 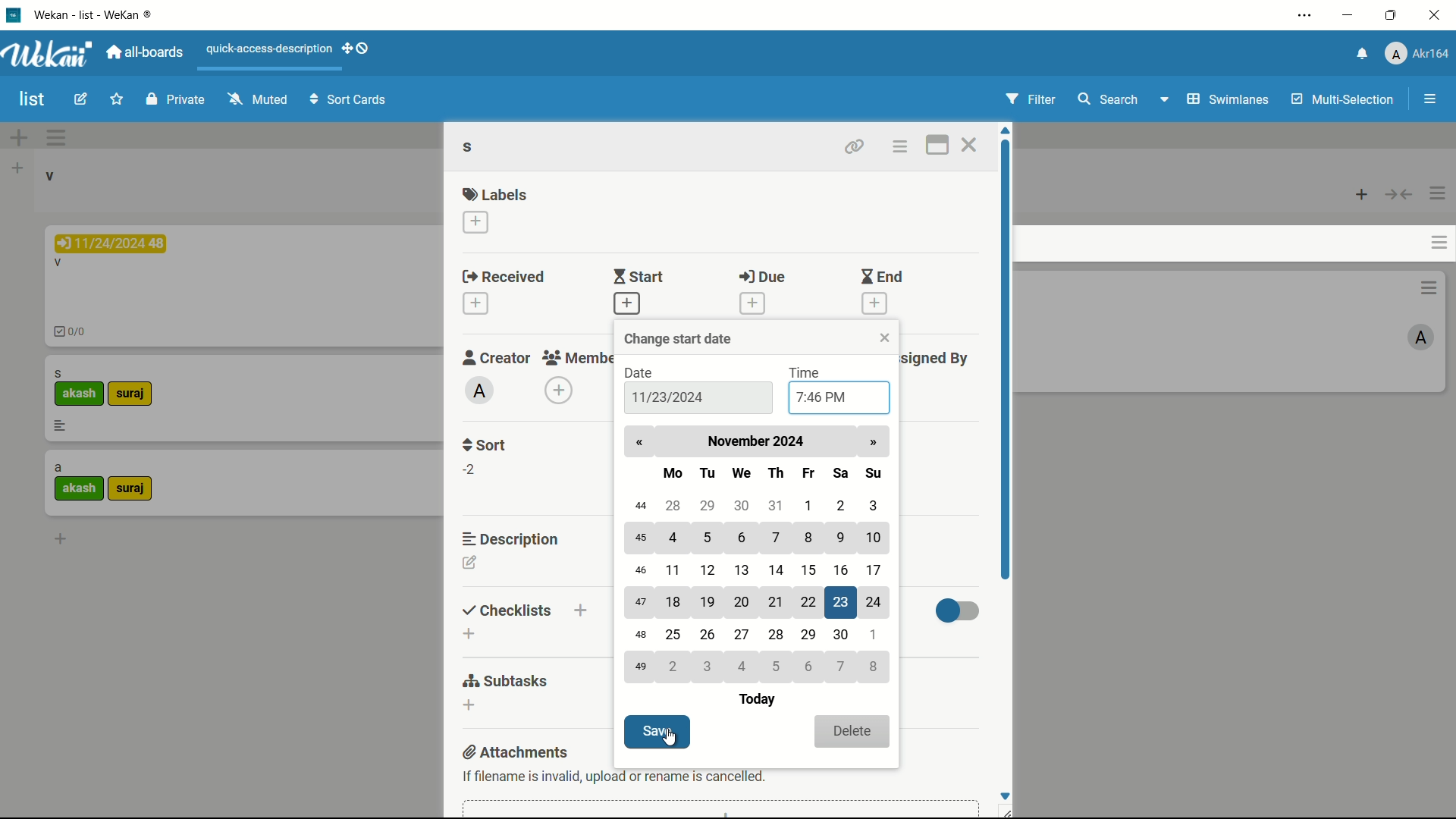 What do you see at coordinates (58, 265) in the screenshot?
I see `card name` at bounding box center [58, 265].